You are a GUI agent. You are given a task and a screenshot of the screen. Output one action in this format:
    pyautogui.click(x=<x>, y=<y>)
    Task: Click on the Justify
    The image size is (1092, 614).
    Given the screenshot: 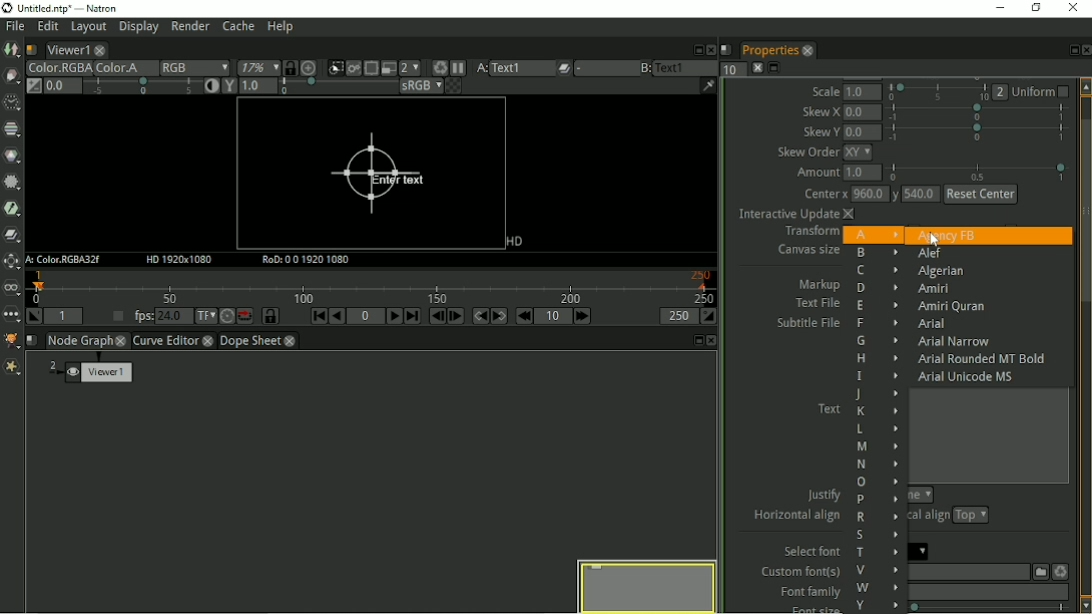 What is the action you would take?
    pyautogui.click(x=824, y=493)
    